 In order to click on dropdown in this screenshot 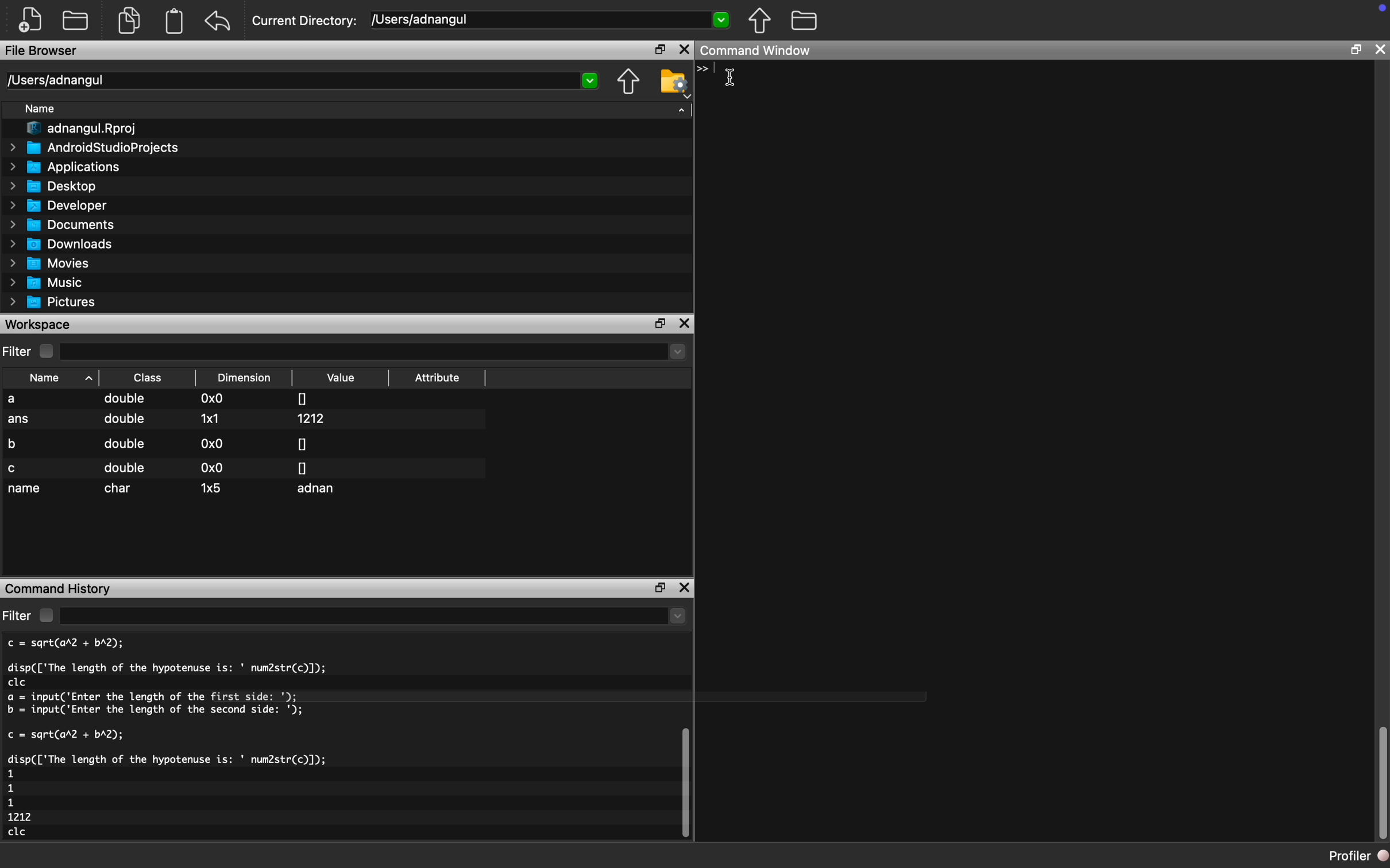, I will do `click(682, 108)`.